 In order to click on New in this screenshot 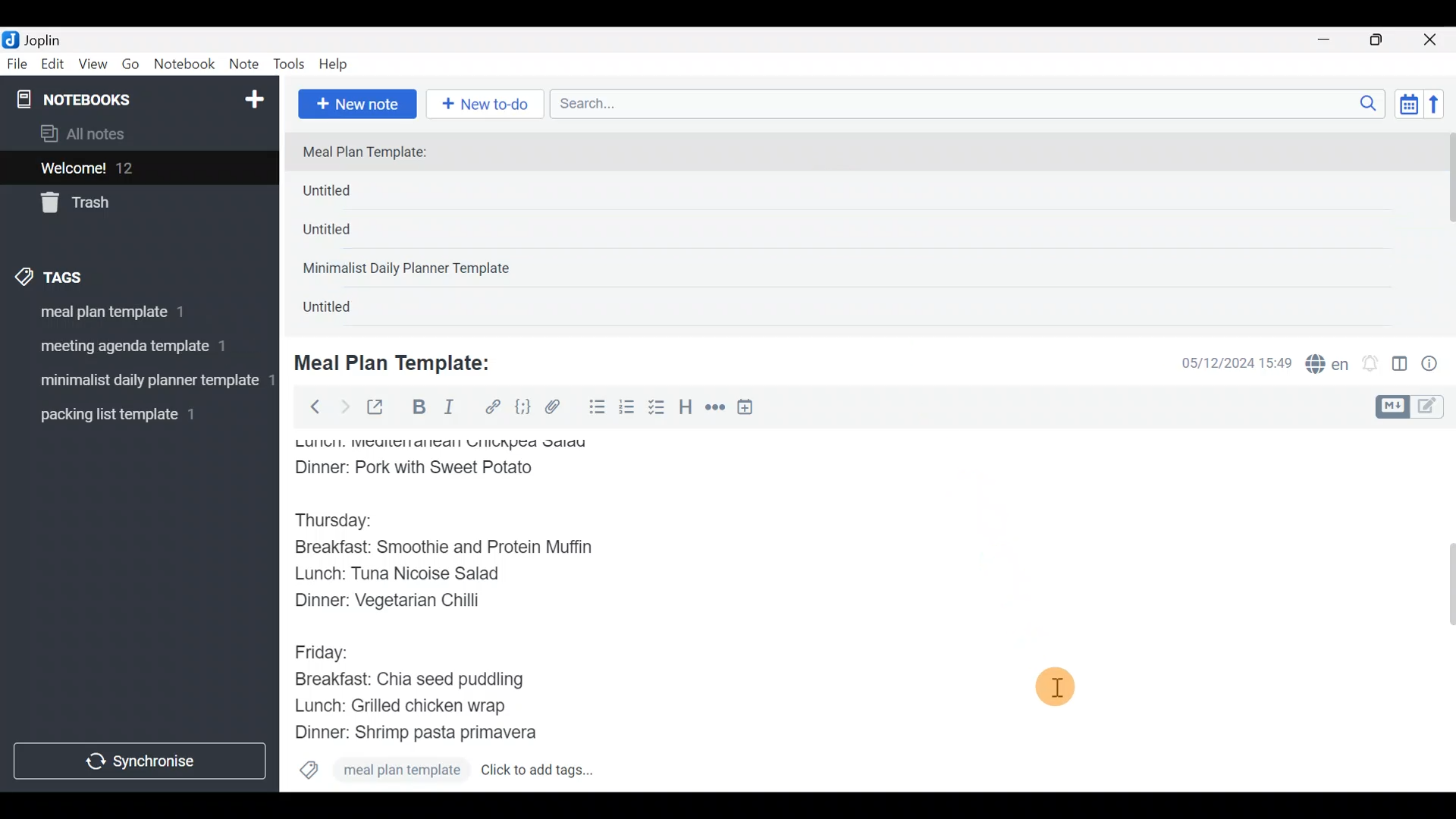, I will do `click(253, 96)`.